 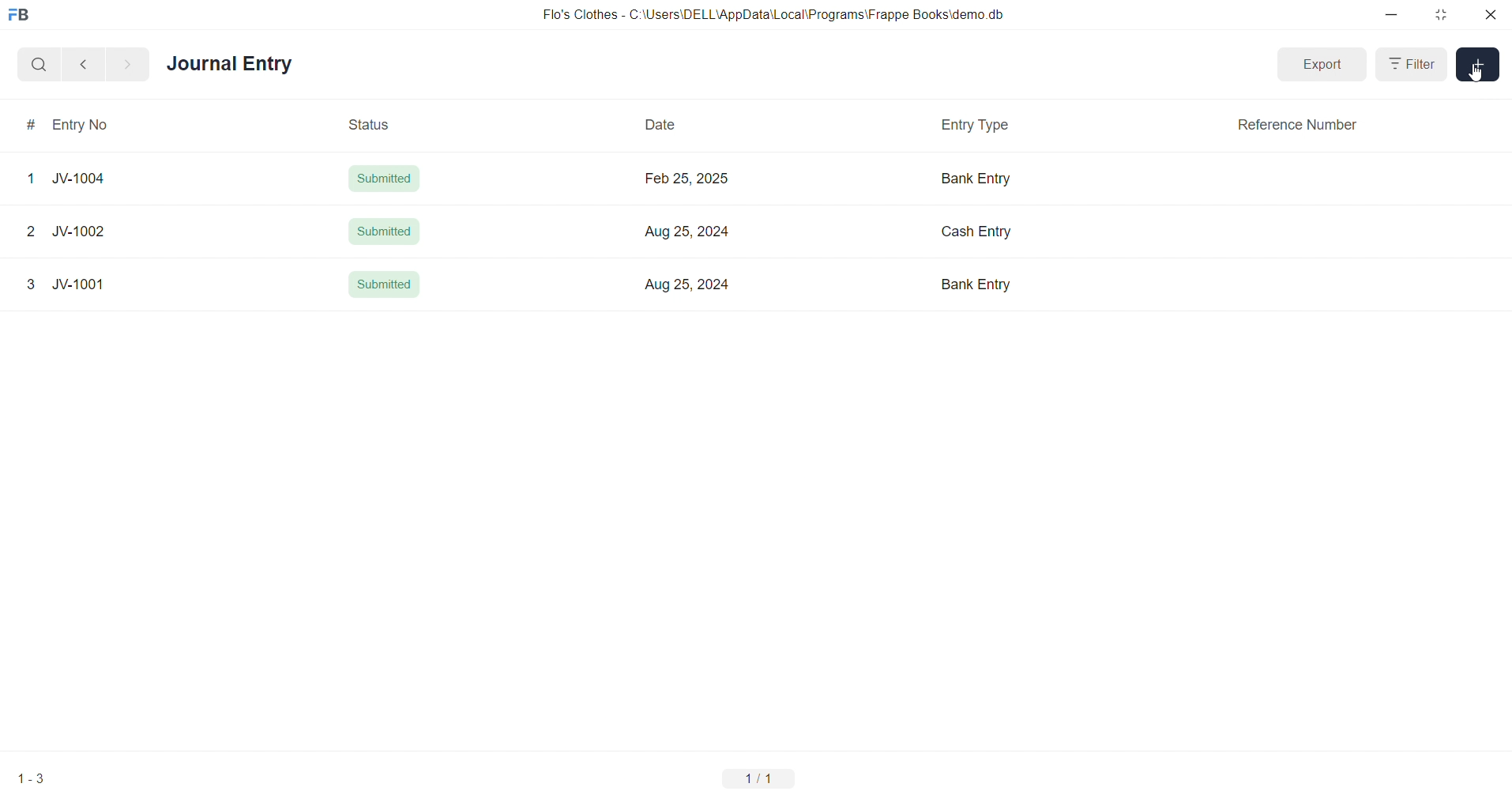 I want to click on Submitted, so click(x=385, y=232).